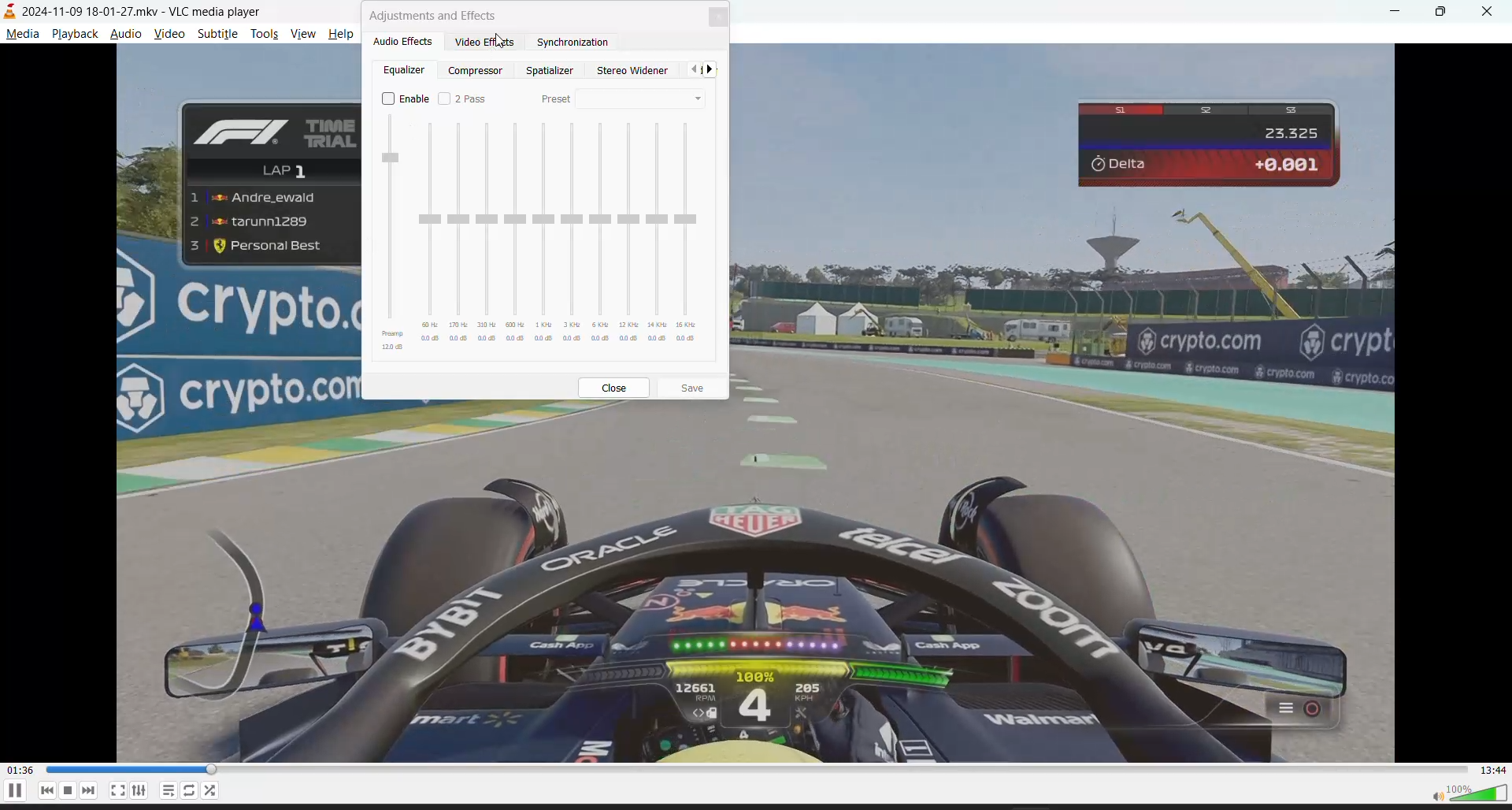 This screenshot has height=810, width=1512. I want to click on equalizer presets, so click(542, 235).